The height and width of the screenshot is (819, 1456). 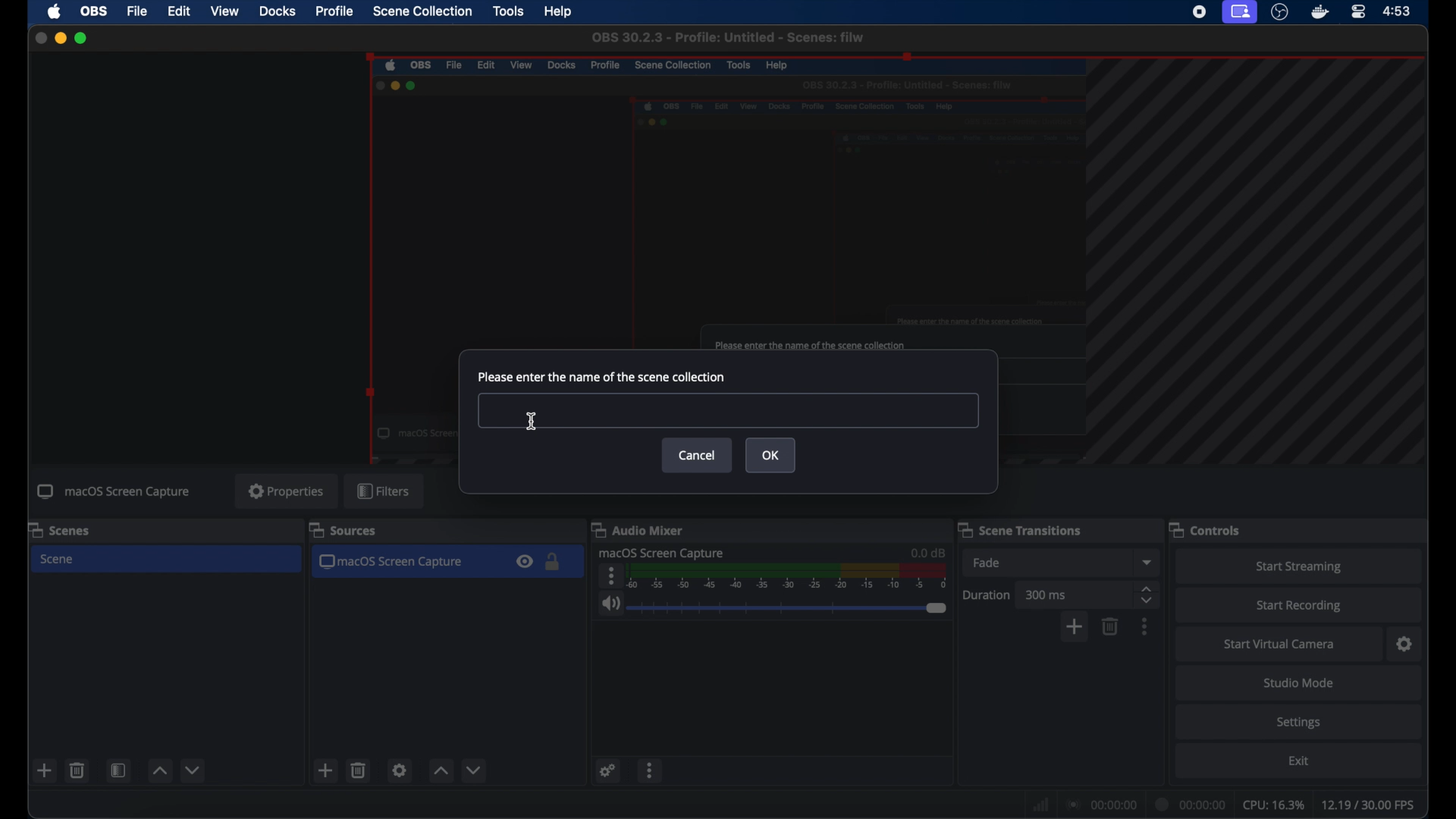 I want to click on decrement, so click(x=193, y=770).